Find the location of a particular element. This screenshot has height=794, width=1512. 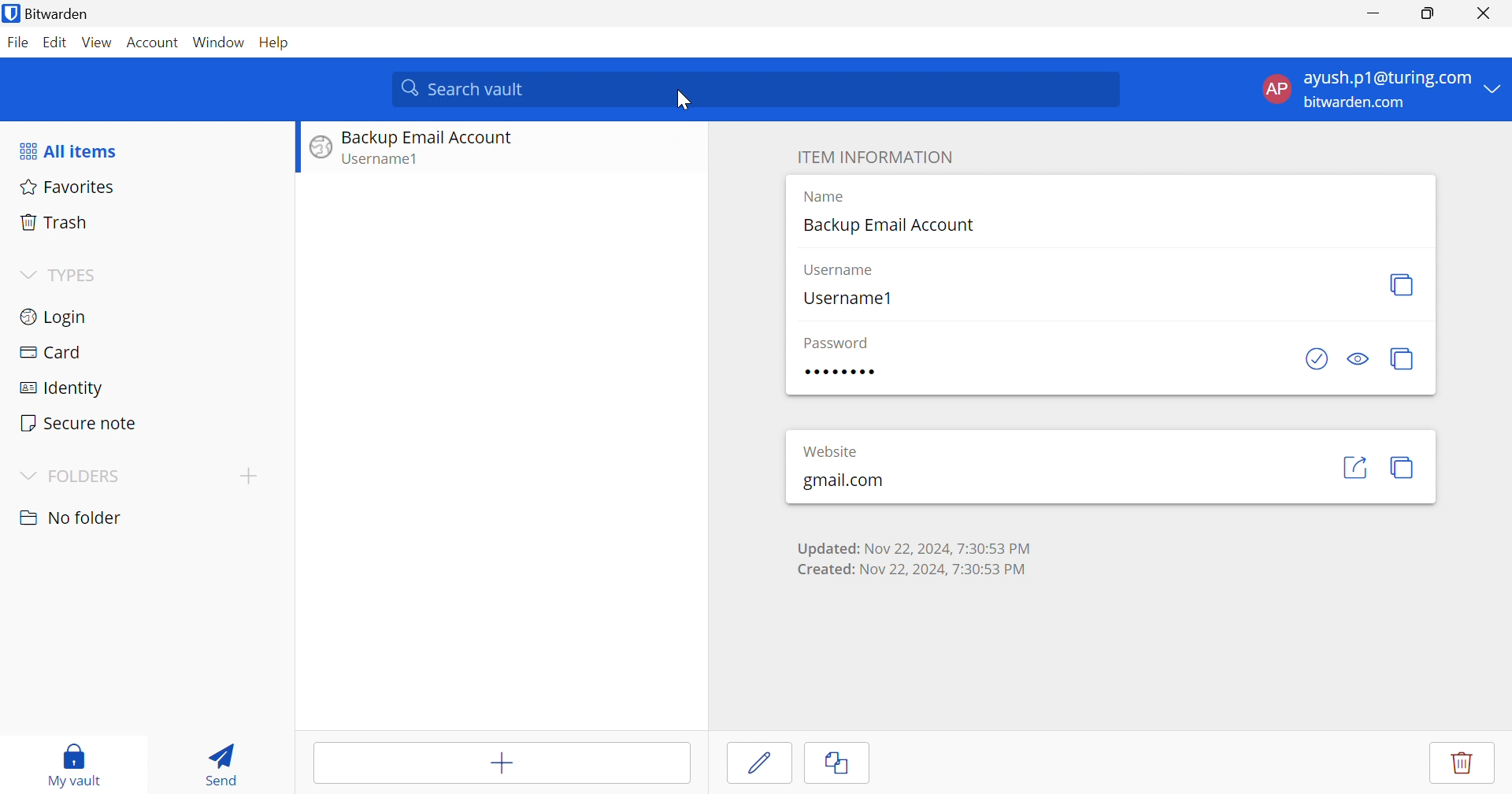

Send is located at coordinates (225, 763).